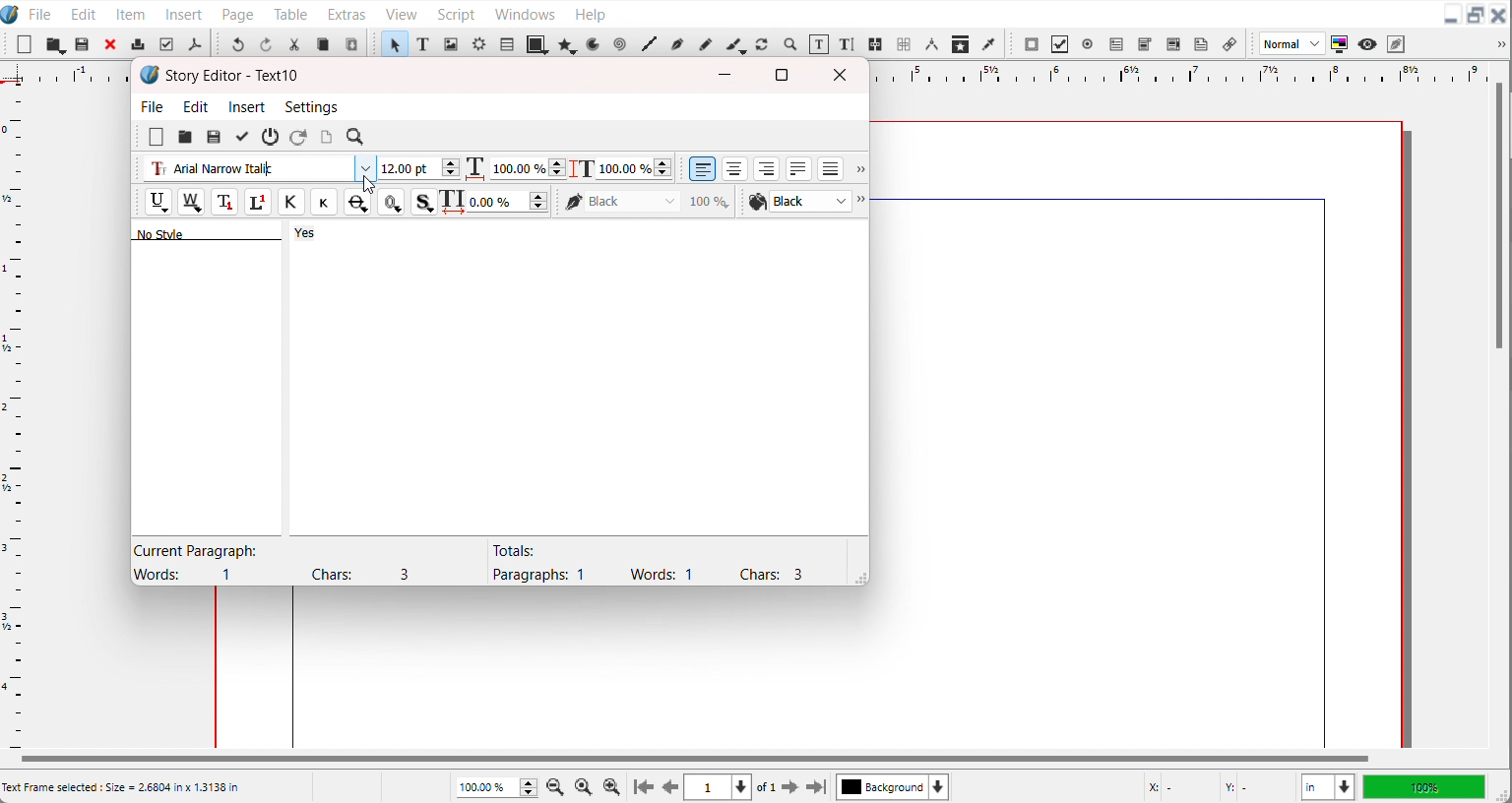 The image size is (1512, 803). Describe the element at coordinates (725, 75) in the screenshot. I see `Minimize` at that location.